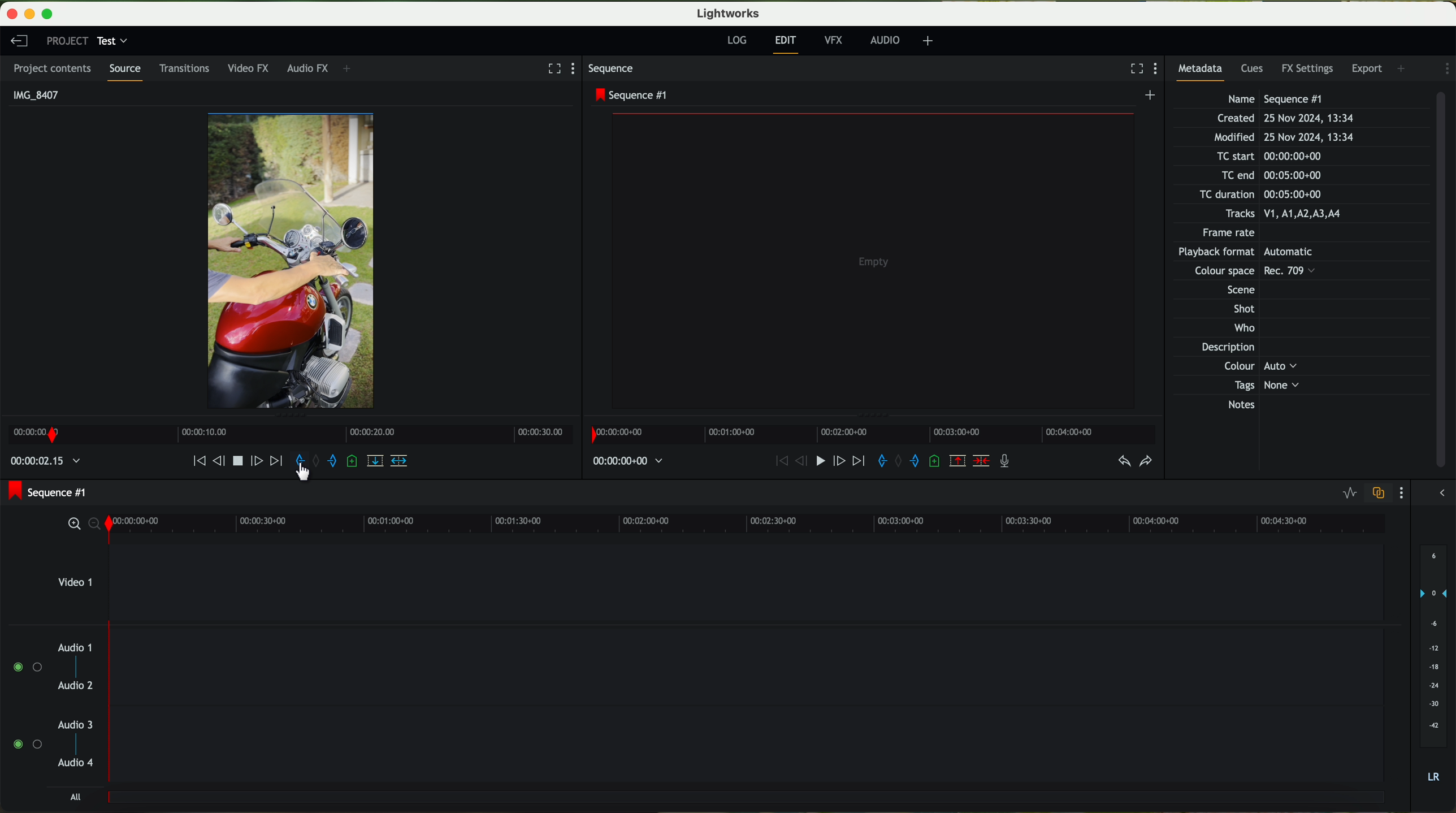 This screenshot has width=1456, height=813. I want to click on zoom out, so click(94, 526).